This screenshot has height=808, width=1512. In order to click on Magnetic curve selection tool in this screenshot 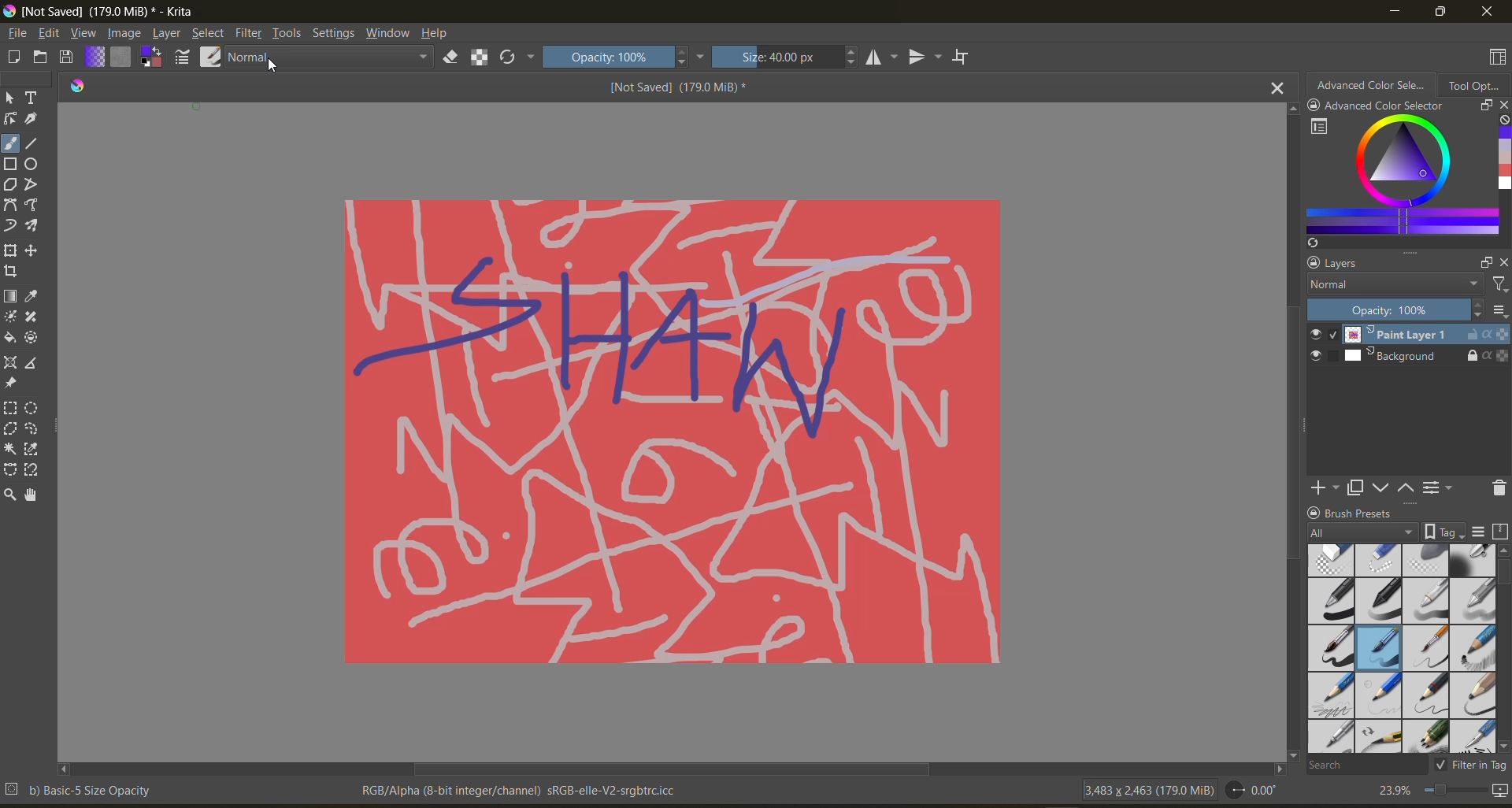, I will do `click(35, 469)`.